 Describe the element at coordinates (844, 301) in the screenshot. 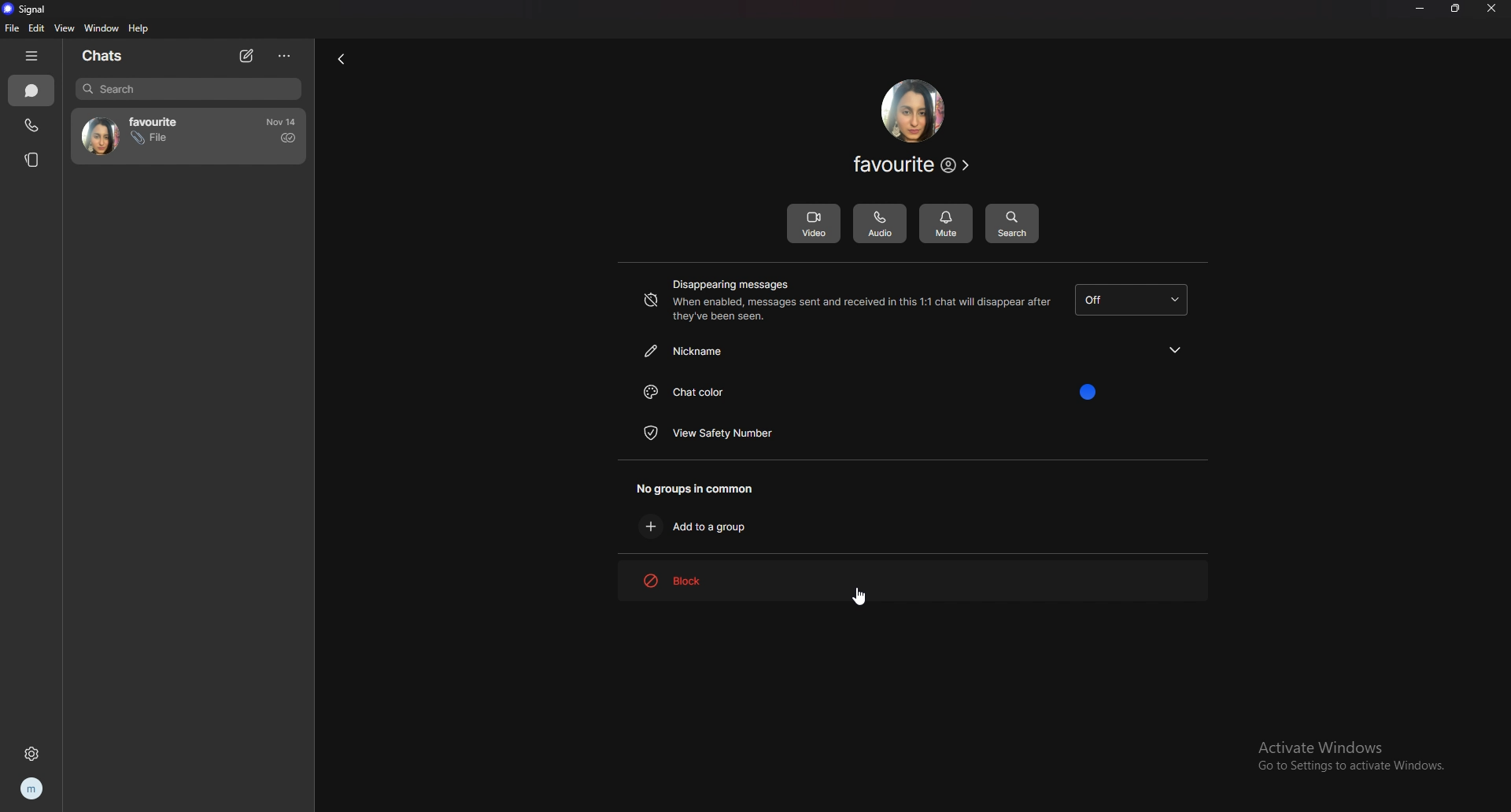

I see `disappearing messages` at that location.